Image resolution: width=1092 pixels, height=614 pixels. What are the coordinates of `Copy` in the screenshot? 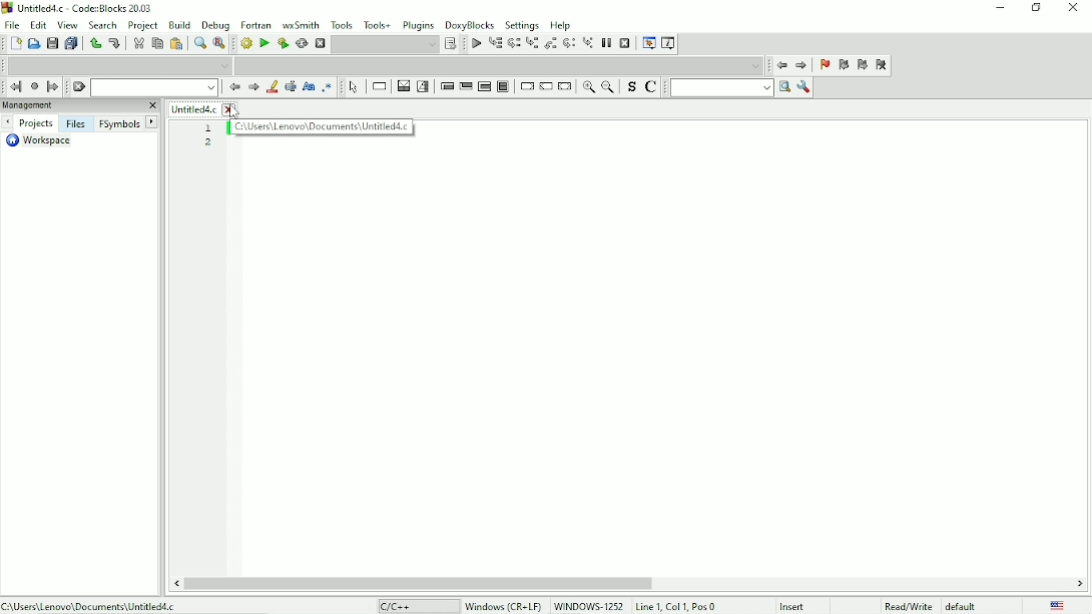 It's located at (157, 44).